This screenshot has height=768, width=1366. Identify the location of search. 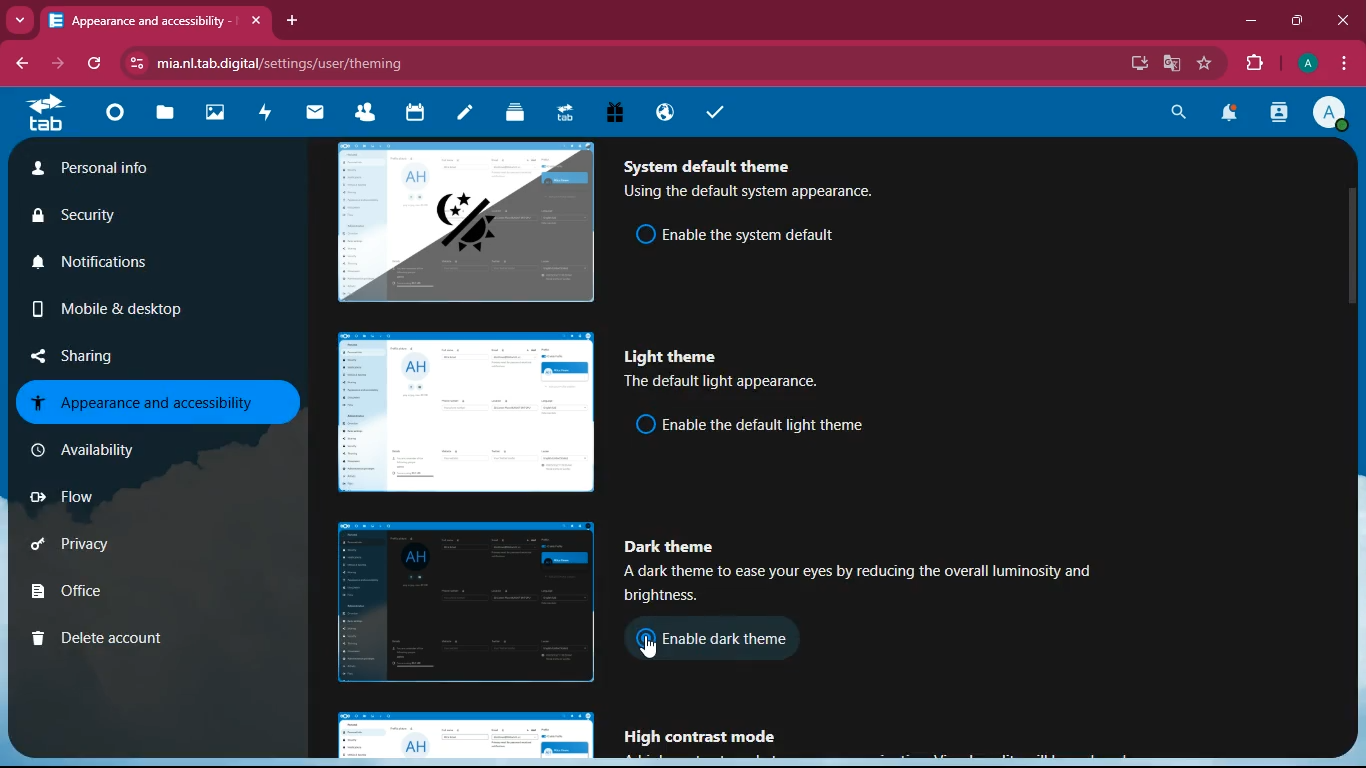
(1174, 112).